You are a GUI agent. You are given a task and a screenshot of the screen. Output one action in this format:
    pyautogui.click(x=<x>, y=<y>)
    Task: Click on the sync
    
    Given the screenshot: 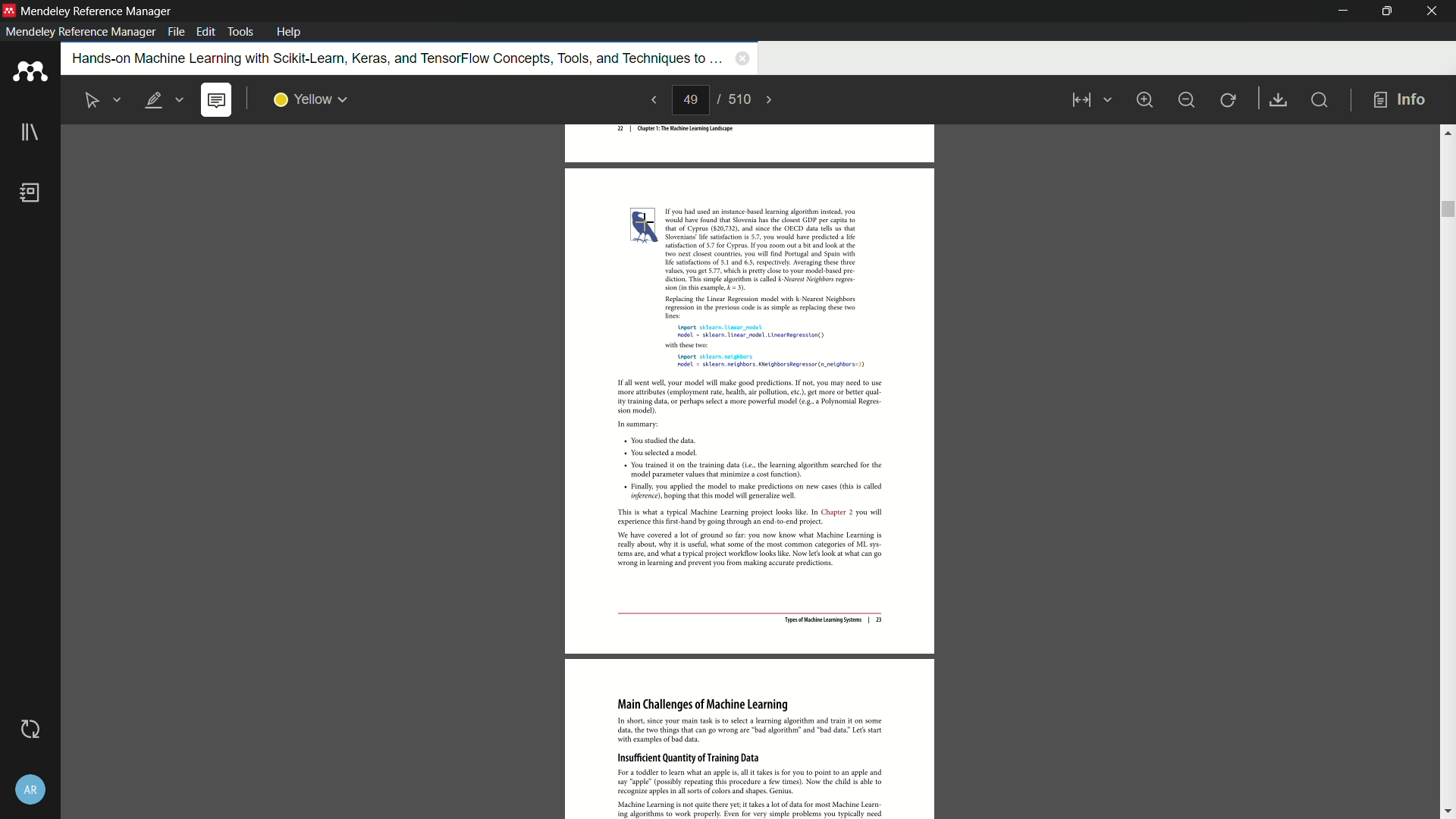 What is the action you would take?
    pyautogui.click(x=28, y=730)
    